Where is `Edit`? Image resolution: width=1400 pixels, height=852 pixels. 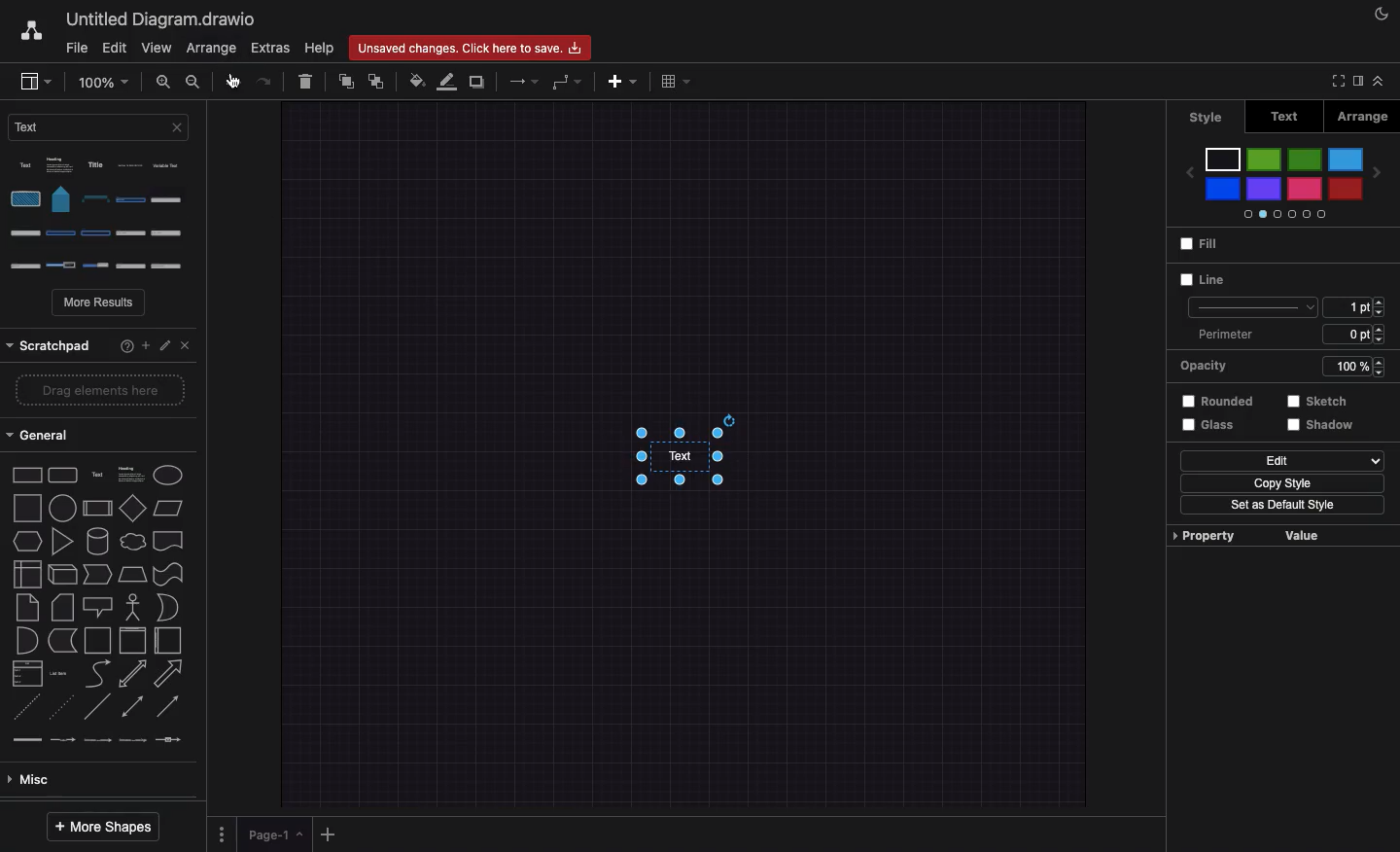
Edit is located at coordinates (1280, 461).